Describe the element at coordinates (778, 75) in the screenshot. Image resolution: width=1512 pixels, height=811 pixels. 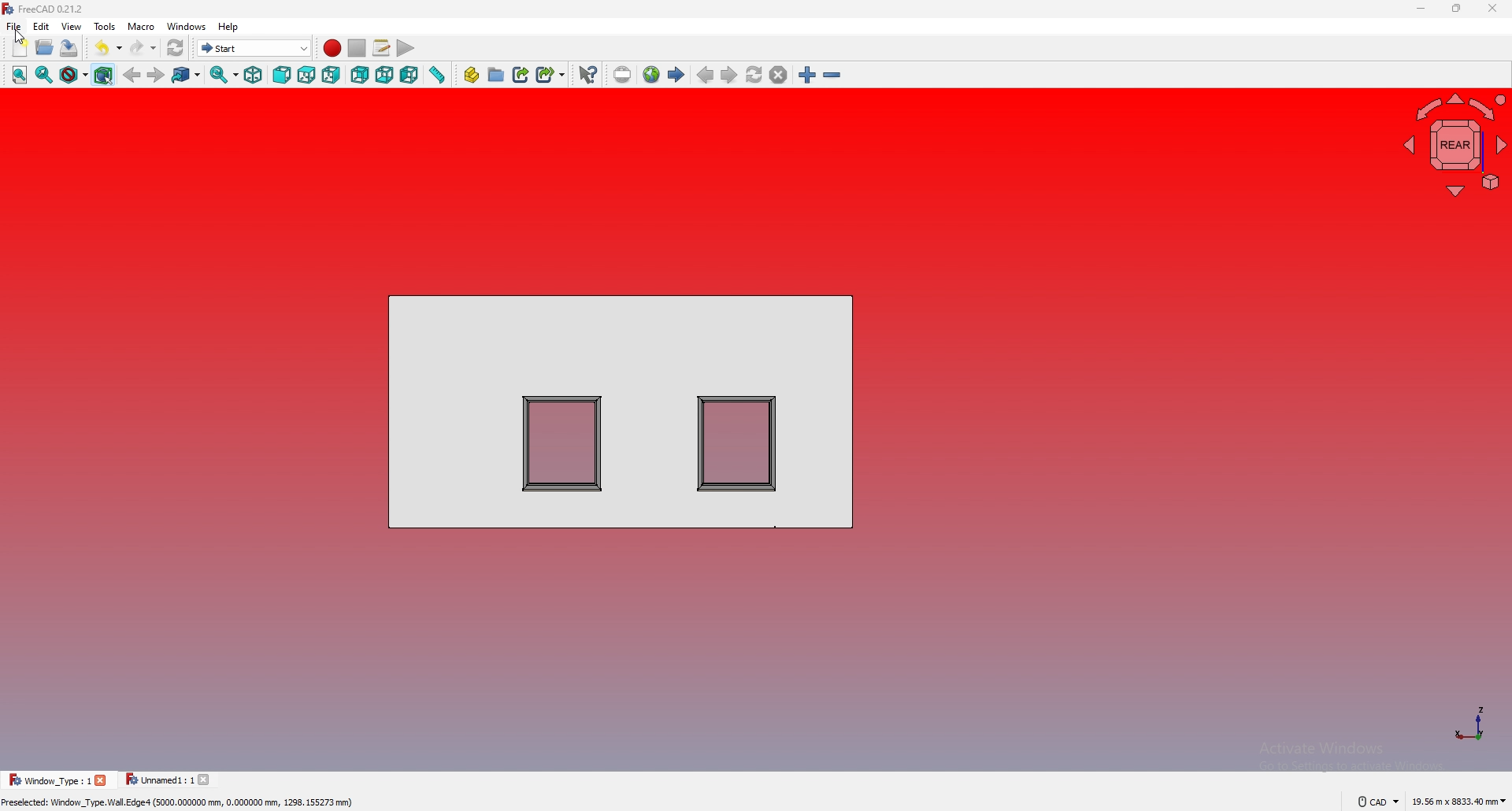
I see `stop loading` at that location.